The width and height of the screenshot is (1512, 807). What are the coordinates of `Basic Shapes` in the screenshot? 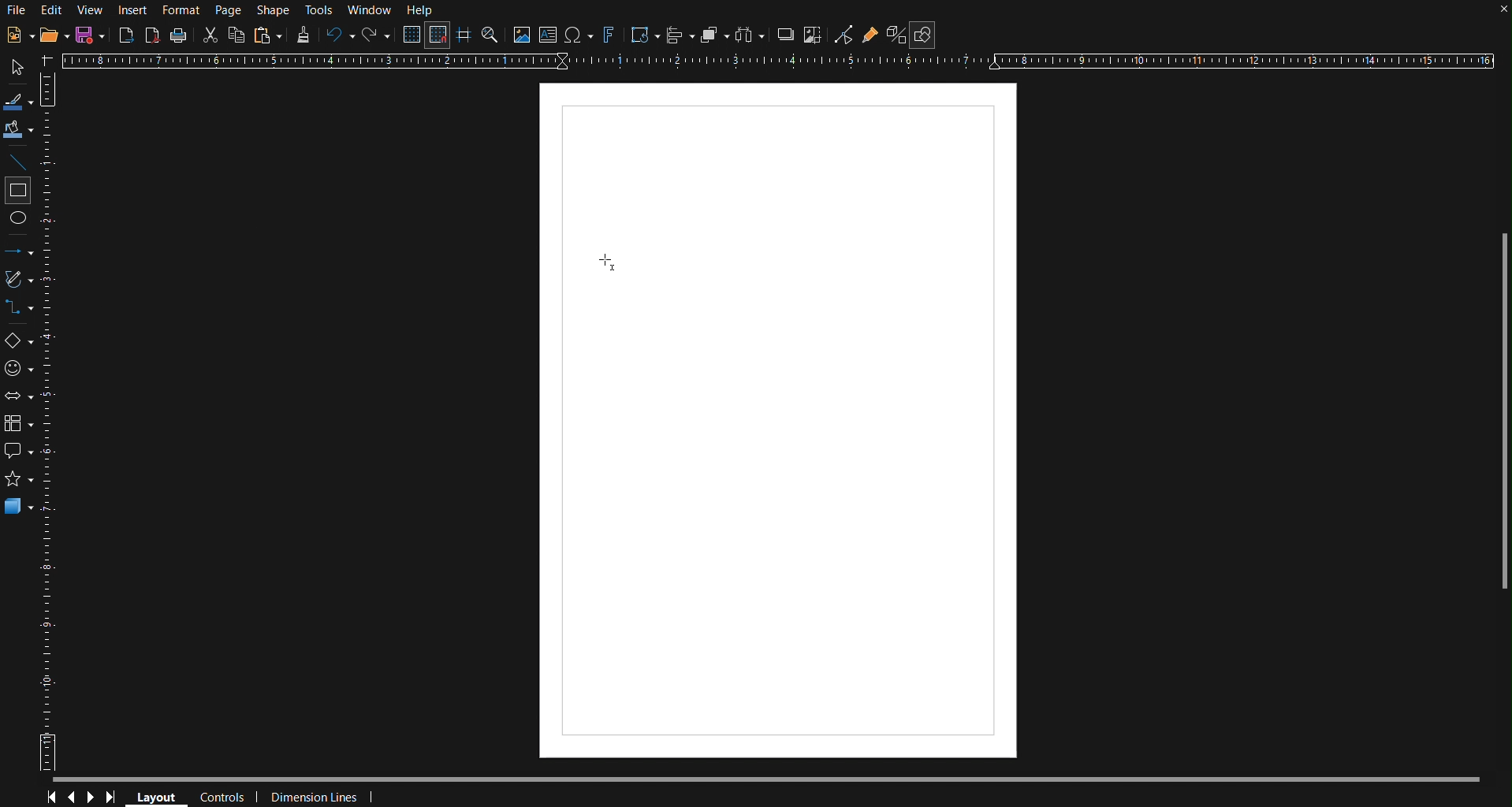 It's located at (20, 342).